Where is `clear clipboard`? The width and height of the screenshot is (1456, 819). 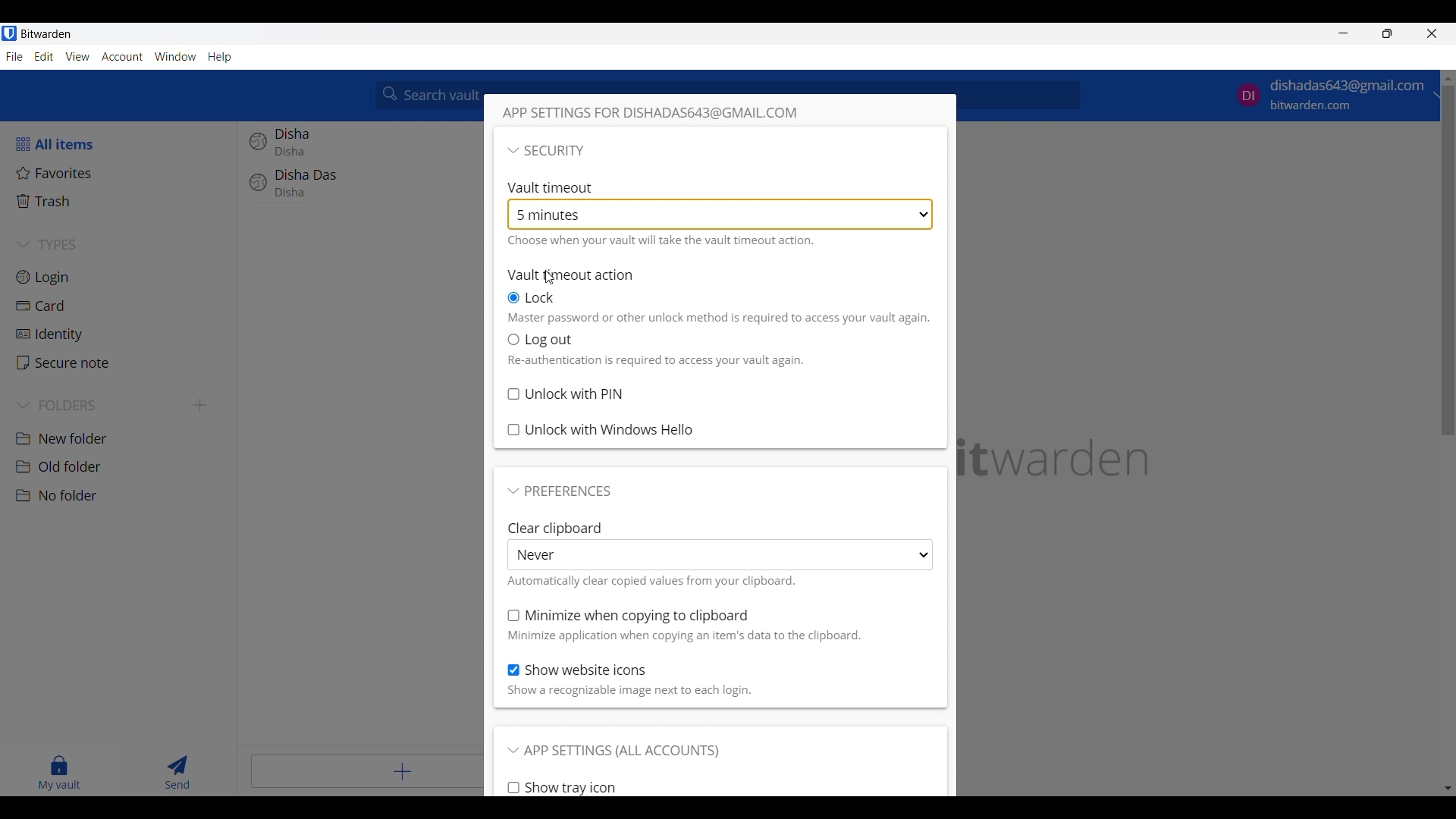 clear clipboard is located at coordinates (554, 527).